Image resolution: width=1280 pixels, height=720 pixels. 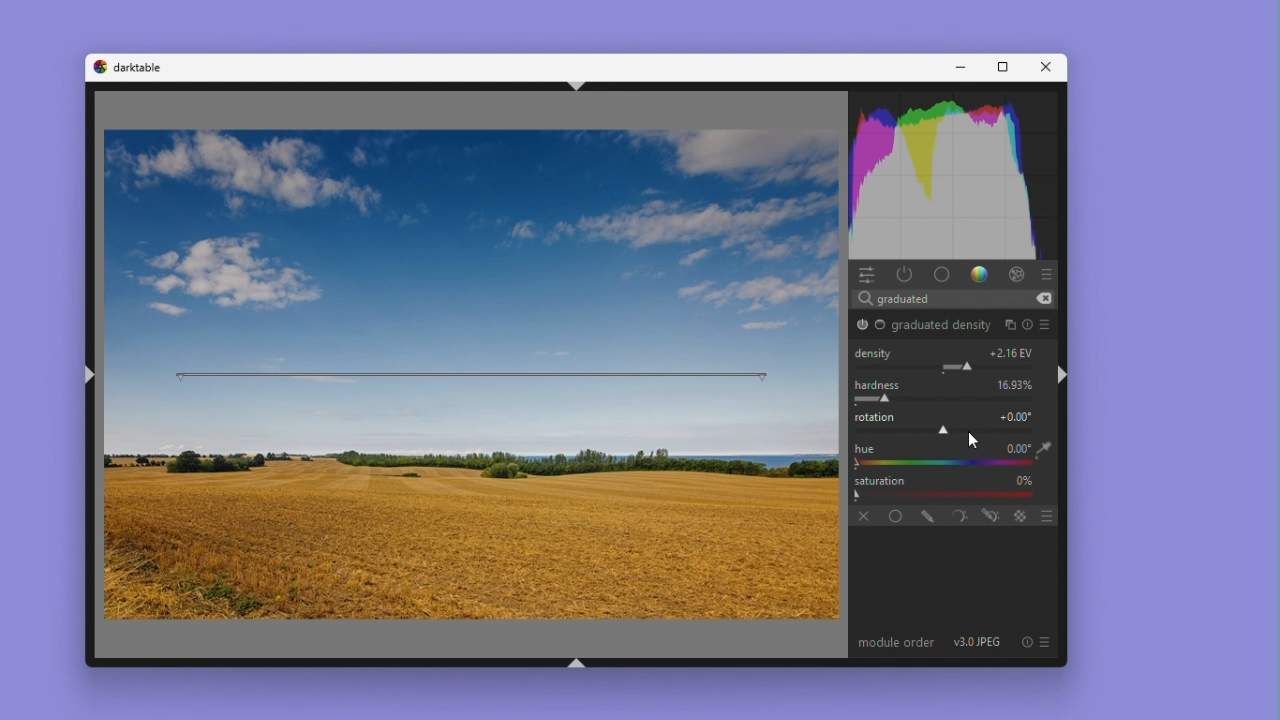 I want to click on Rotation, so click(x=952, y=400).